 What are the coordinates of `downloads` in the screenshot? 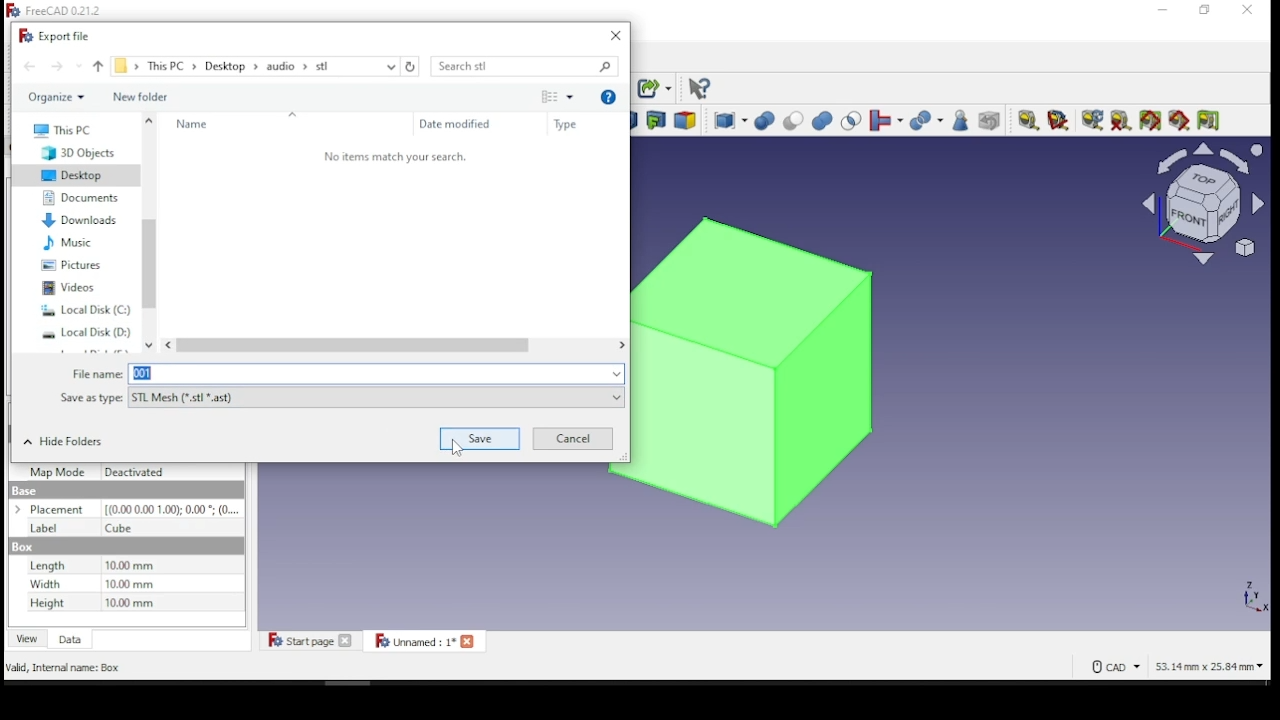 It's located at (83, 221).